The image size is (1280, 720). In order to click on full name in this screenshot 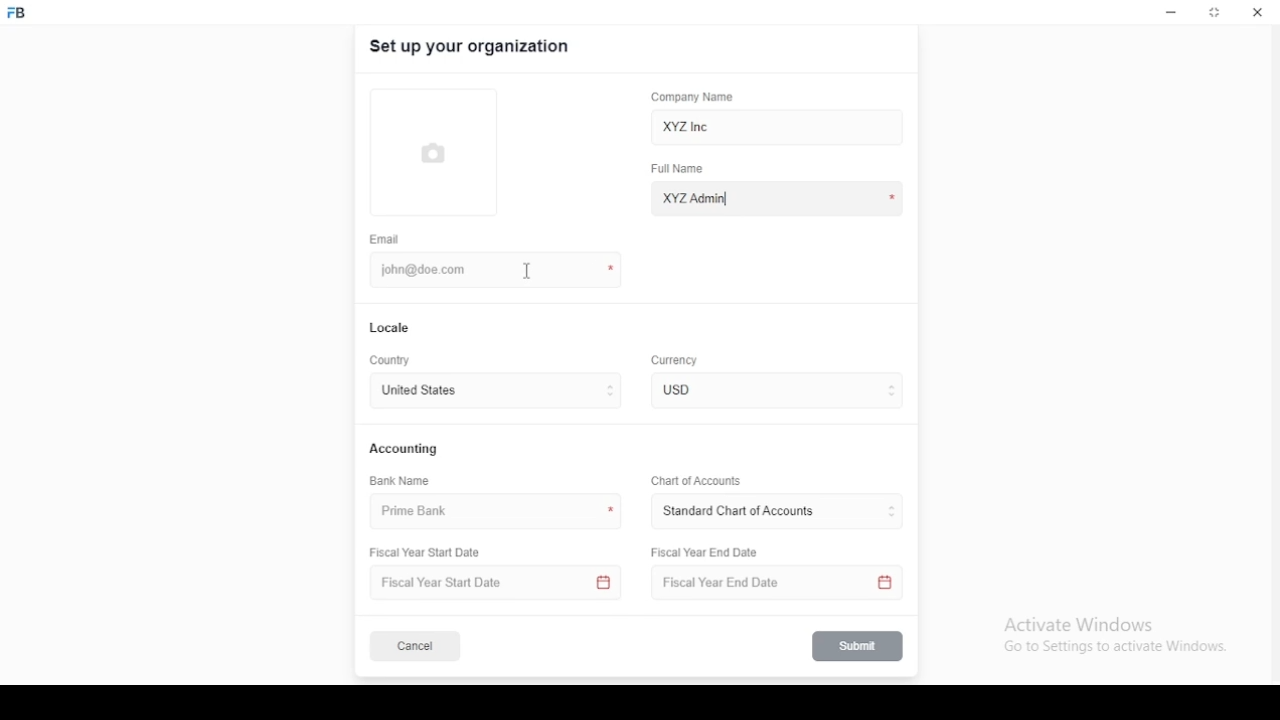, I will do `click(683, 169)`.